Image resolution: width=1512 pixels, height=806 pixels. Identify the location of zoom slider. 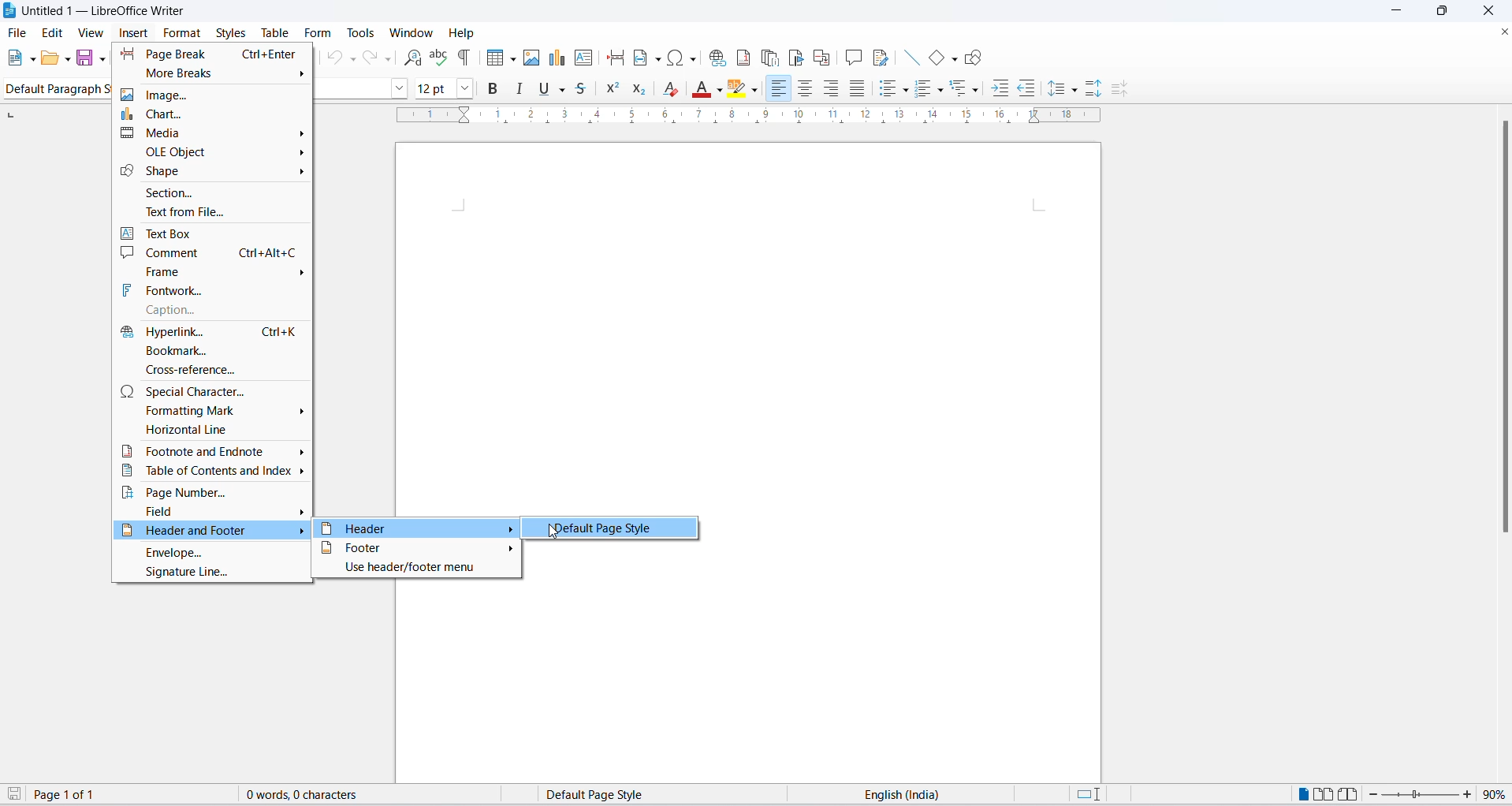
(1417, 797).